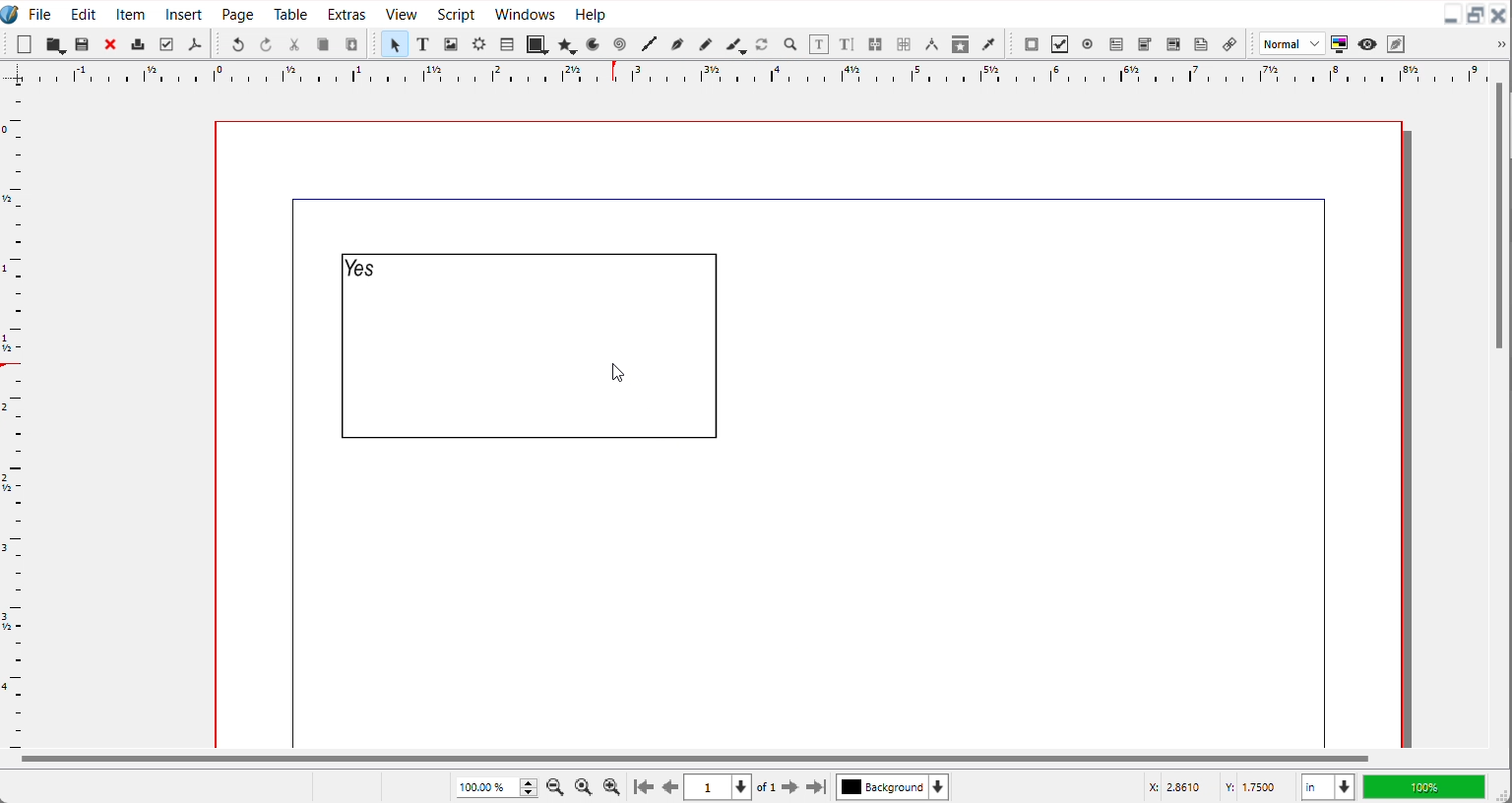 This screenshot has width=1512, height=803. I want to click on Select current layer, so click(893, 786).